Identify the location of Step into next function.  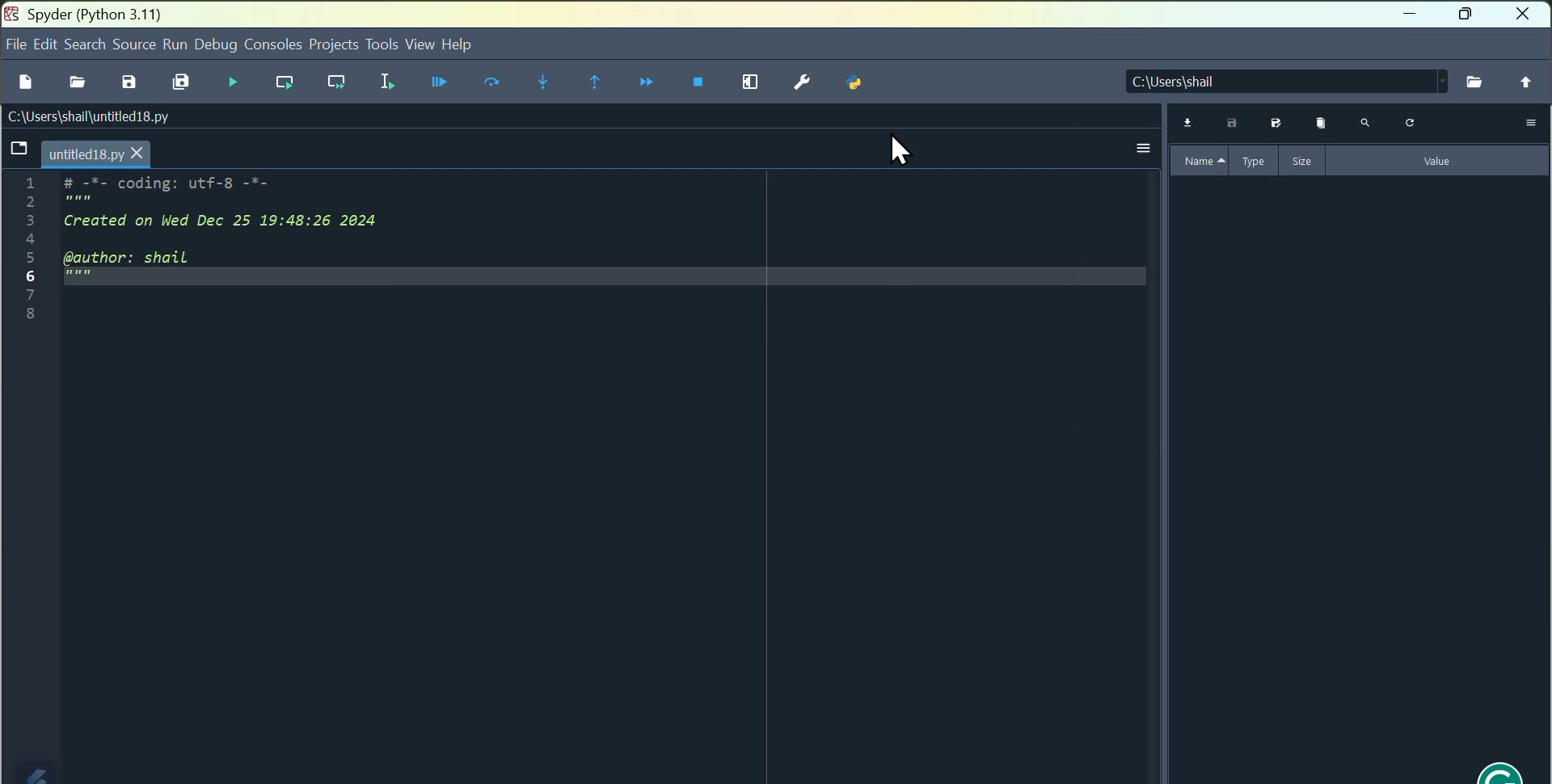
(541, 84).